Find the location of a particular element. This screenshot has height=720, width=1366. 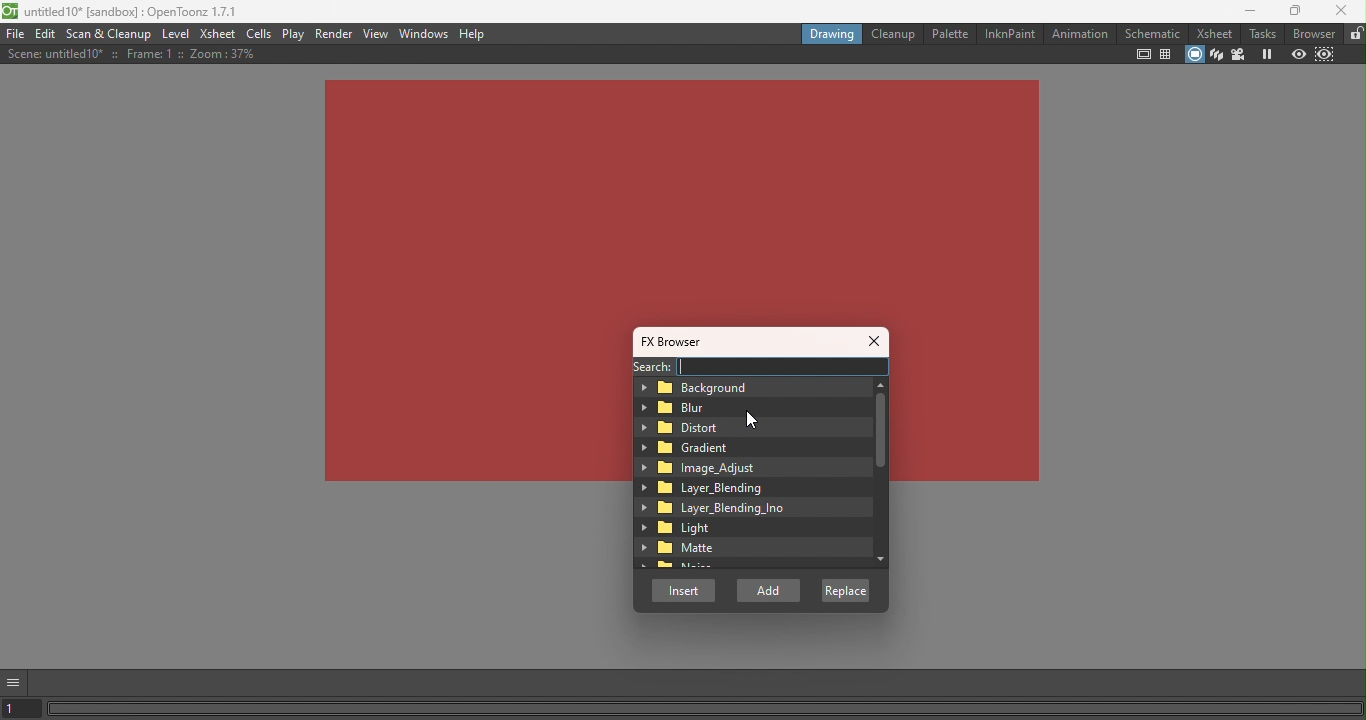

Light is located at coordinates (677, 528).